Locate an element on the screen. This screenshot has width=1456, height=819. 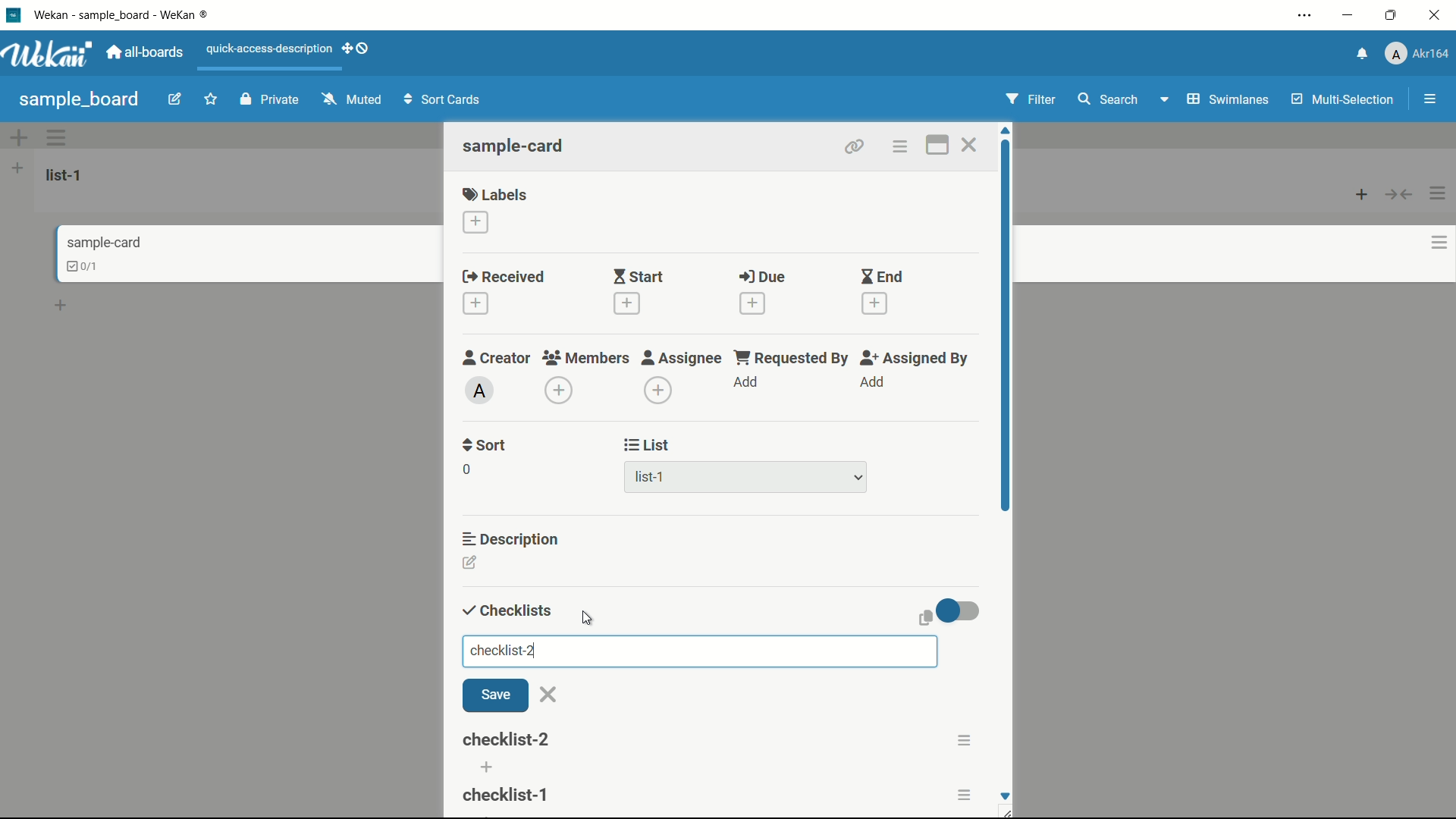
scroll down is located at coordinates (1004, 795).